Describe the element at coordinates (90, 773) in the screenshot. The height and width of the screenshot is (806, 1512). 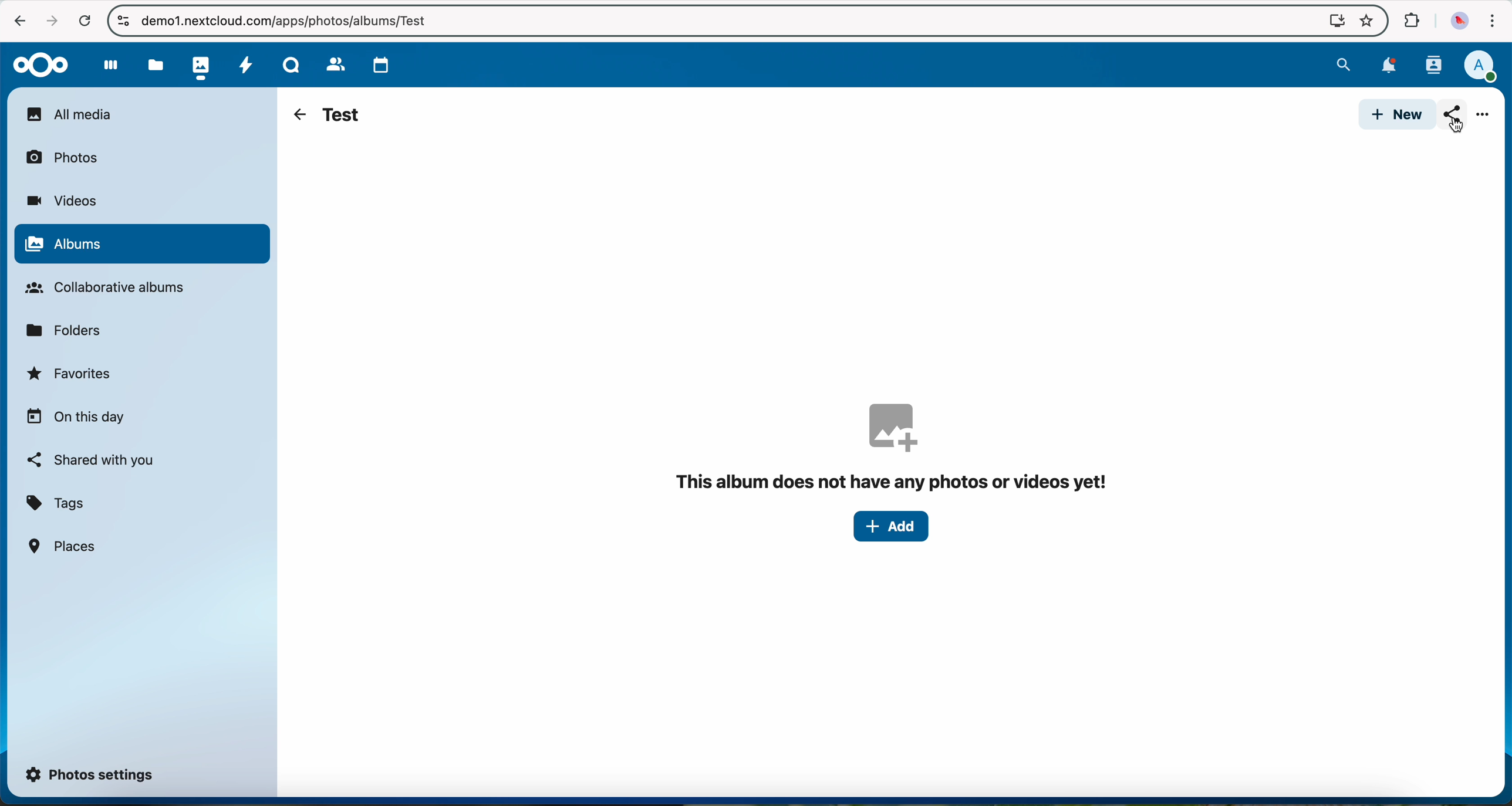
I see `photos settings` at that location.